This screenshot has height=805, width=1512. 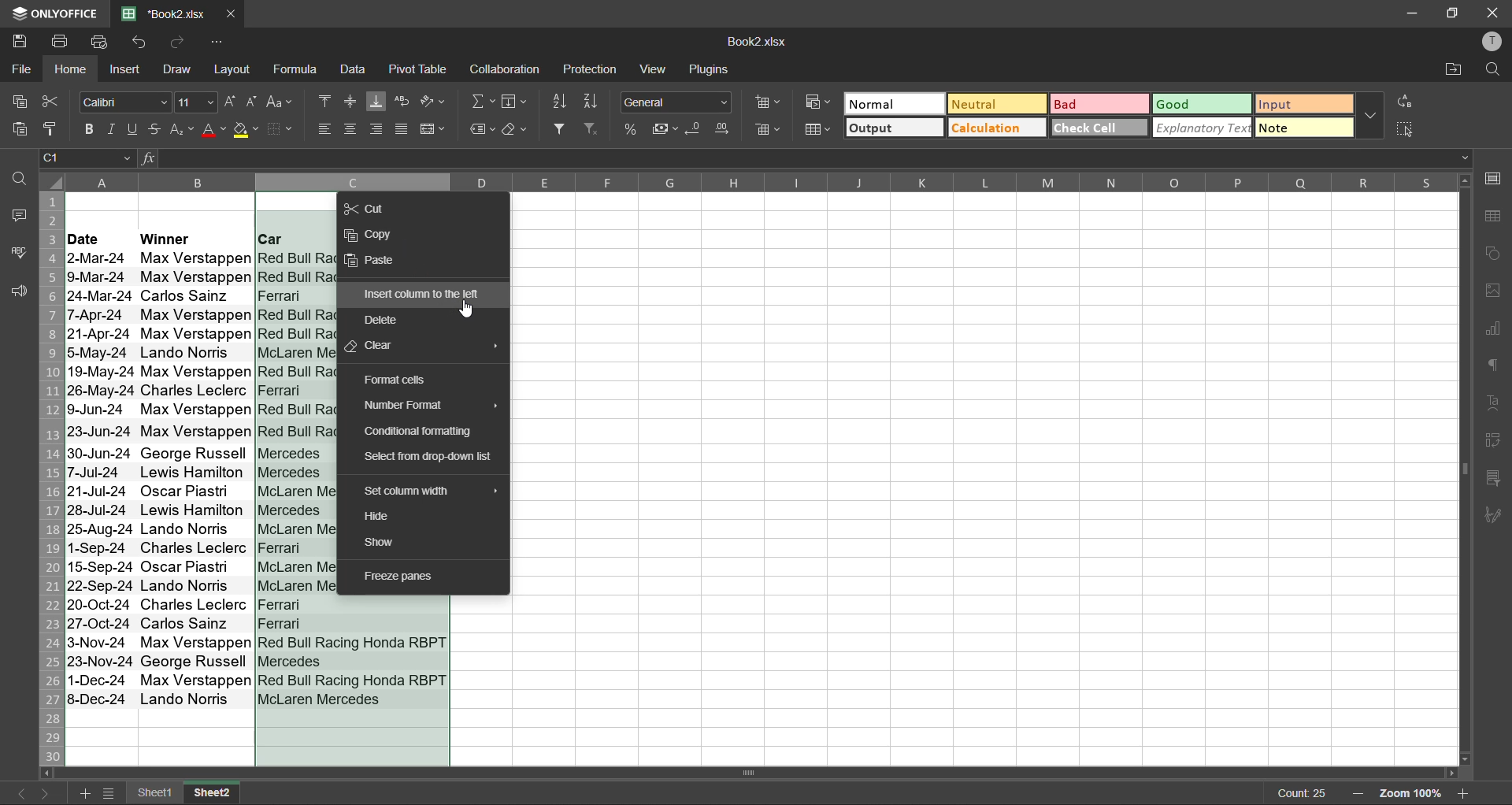 What do you see at coordinates (992, 103) in the screenshot?
I see `neutral` at bounding box center [992, 103].